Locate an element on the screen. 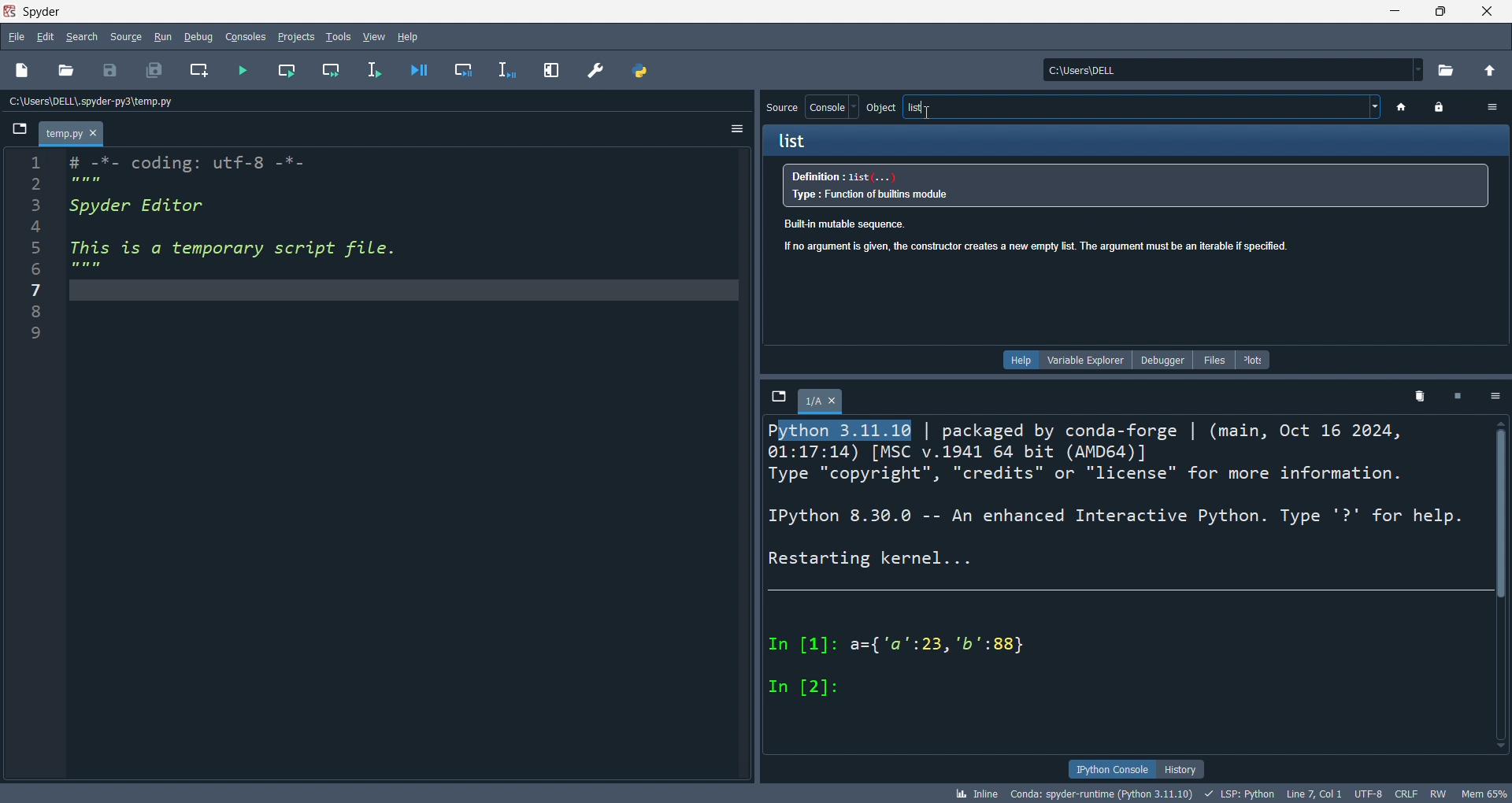 This screenshot has height=803, width=1512. open file is located at coordinates (73, 70).